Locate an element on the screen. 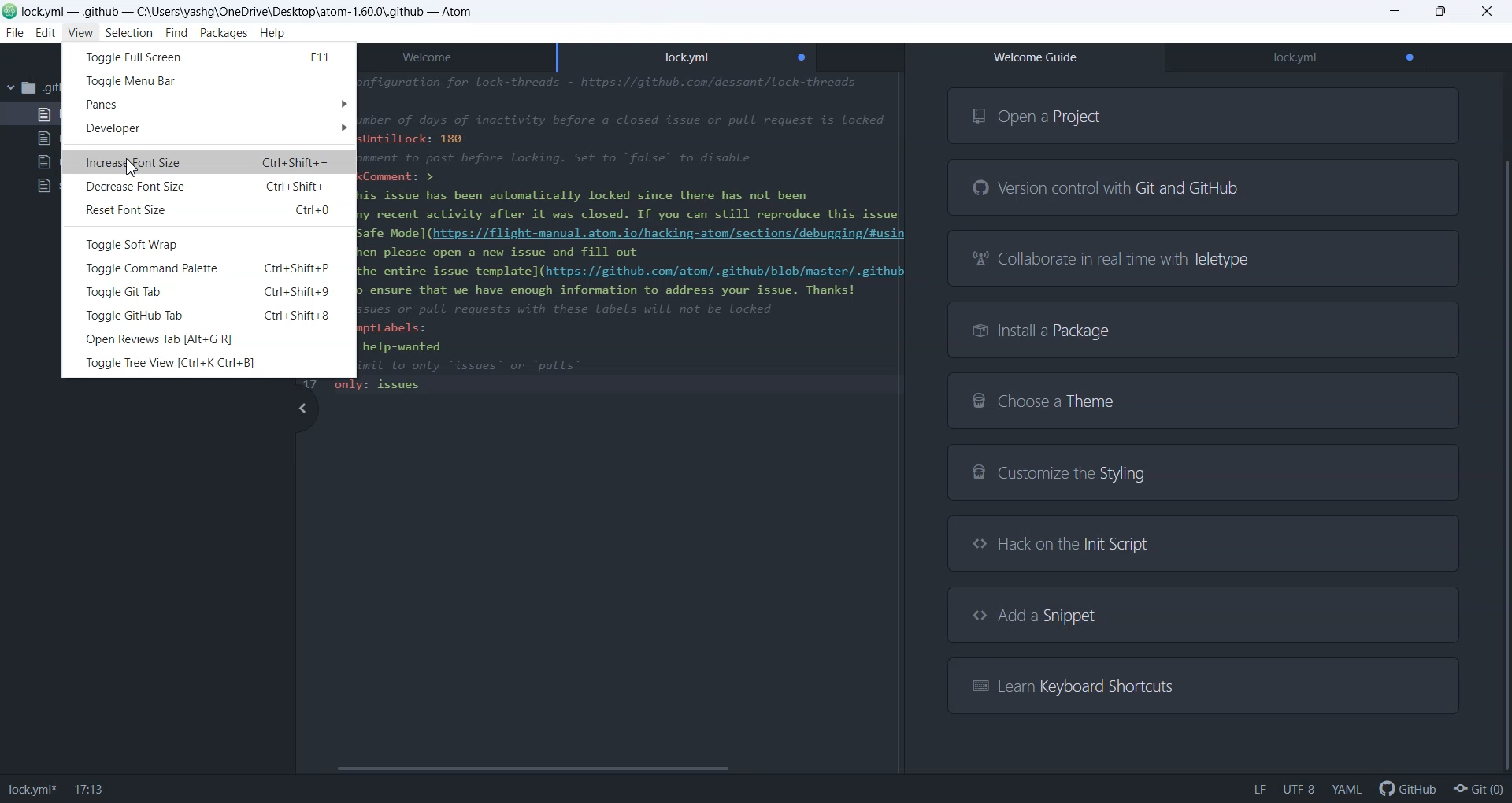 The image size is (1512, 803). View is located at coordinates (80, 32).